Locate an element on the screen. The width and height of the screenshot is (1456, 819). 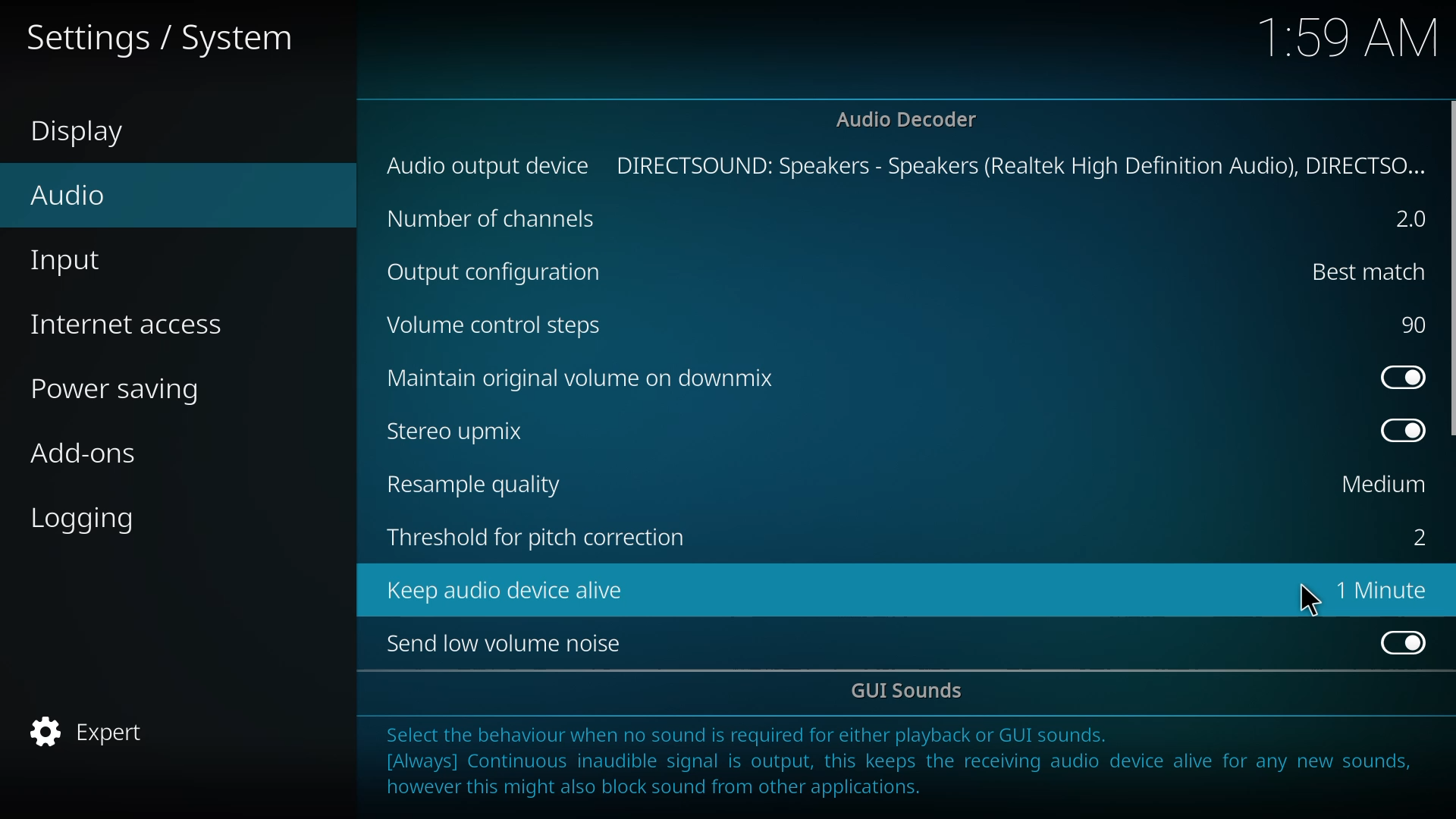
best match is located at coordinates (1359, 270).